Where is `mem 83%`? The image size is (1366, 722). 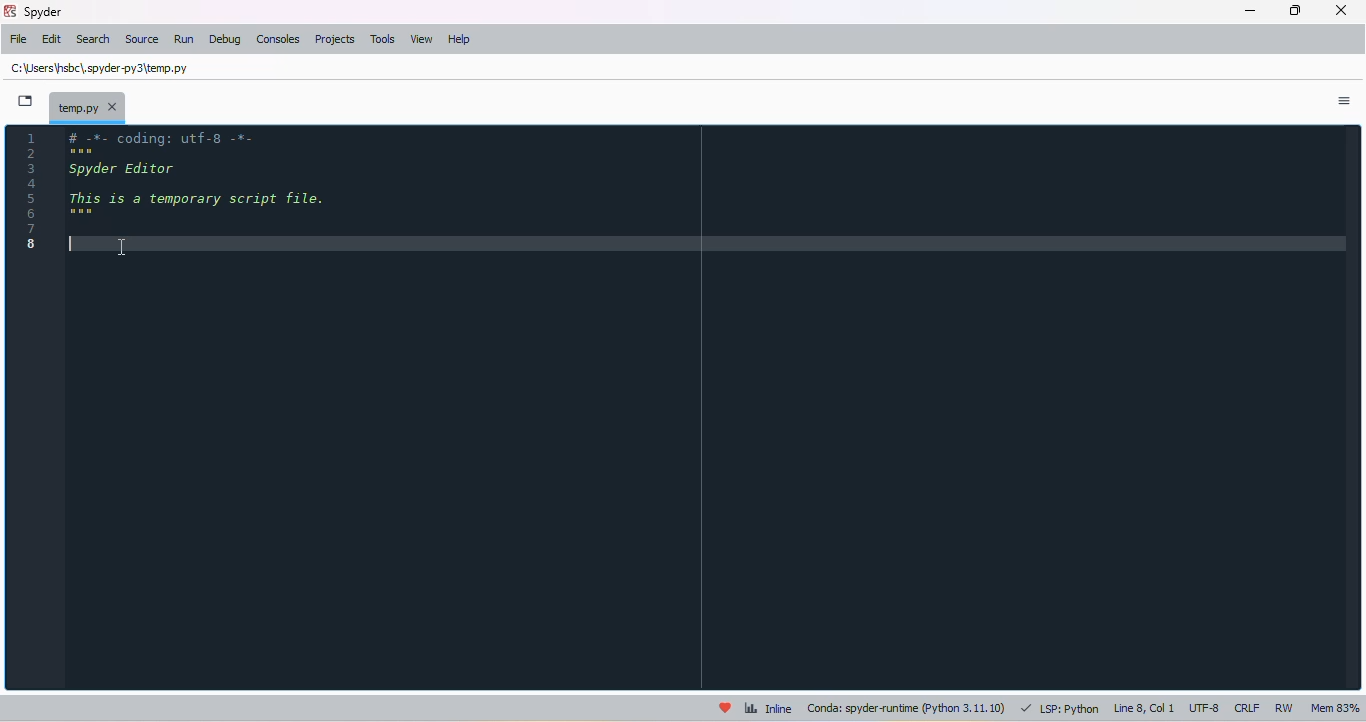 mem 83% is located at coordinates (1335, 708).